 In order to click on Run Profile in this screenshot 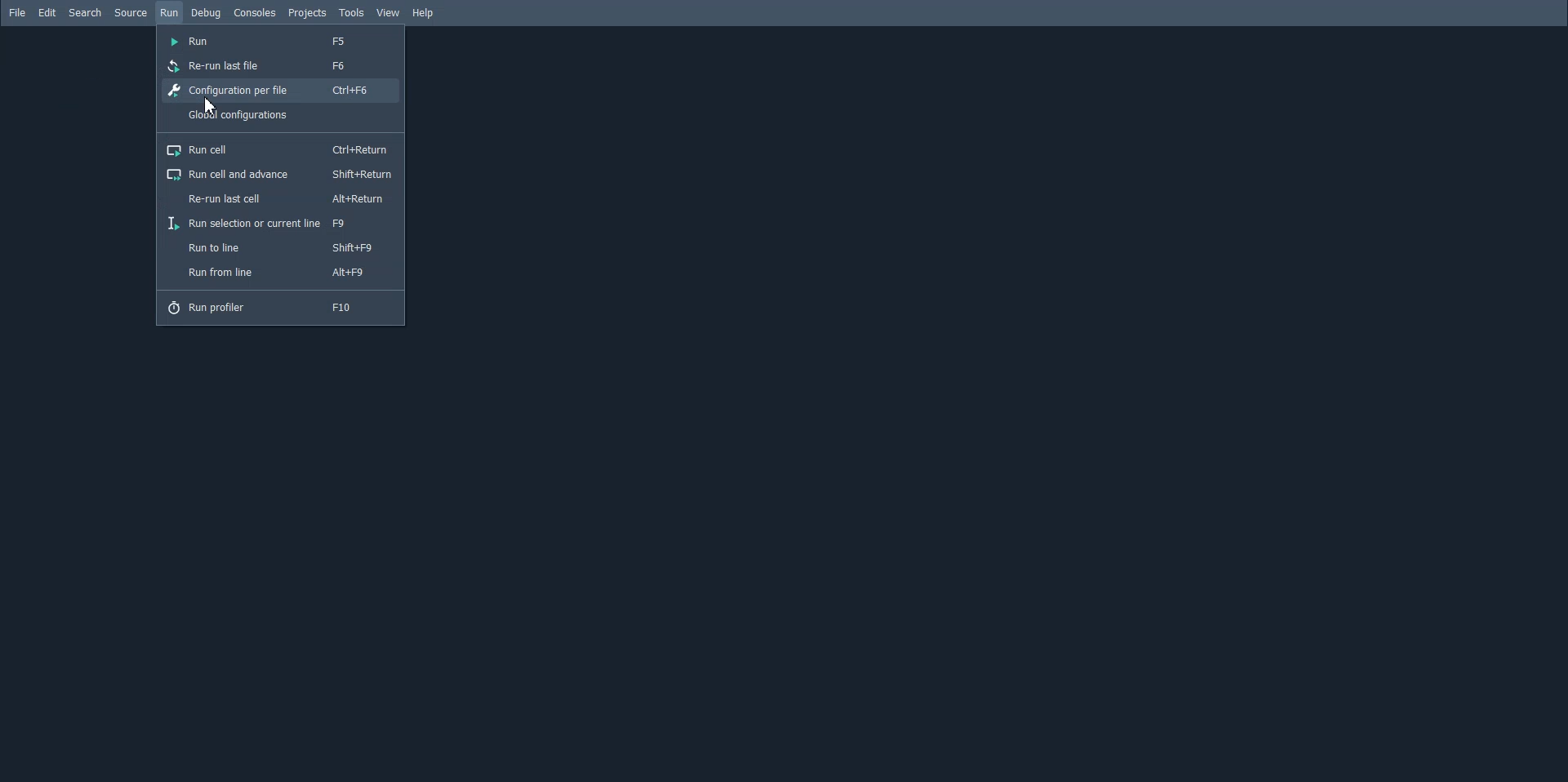, I will do `click(279, 309)`.